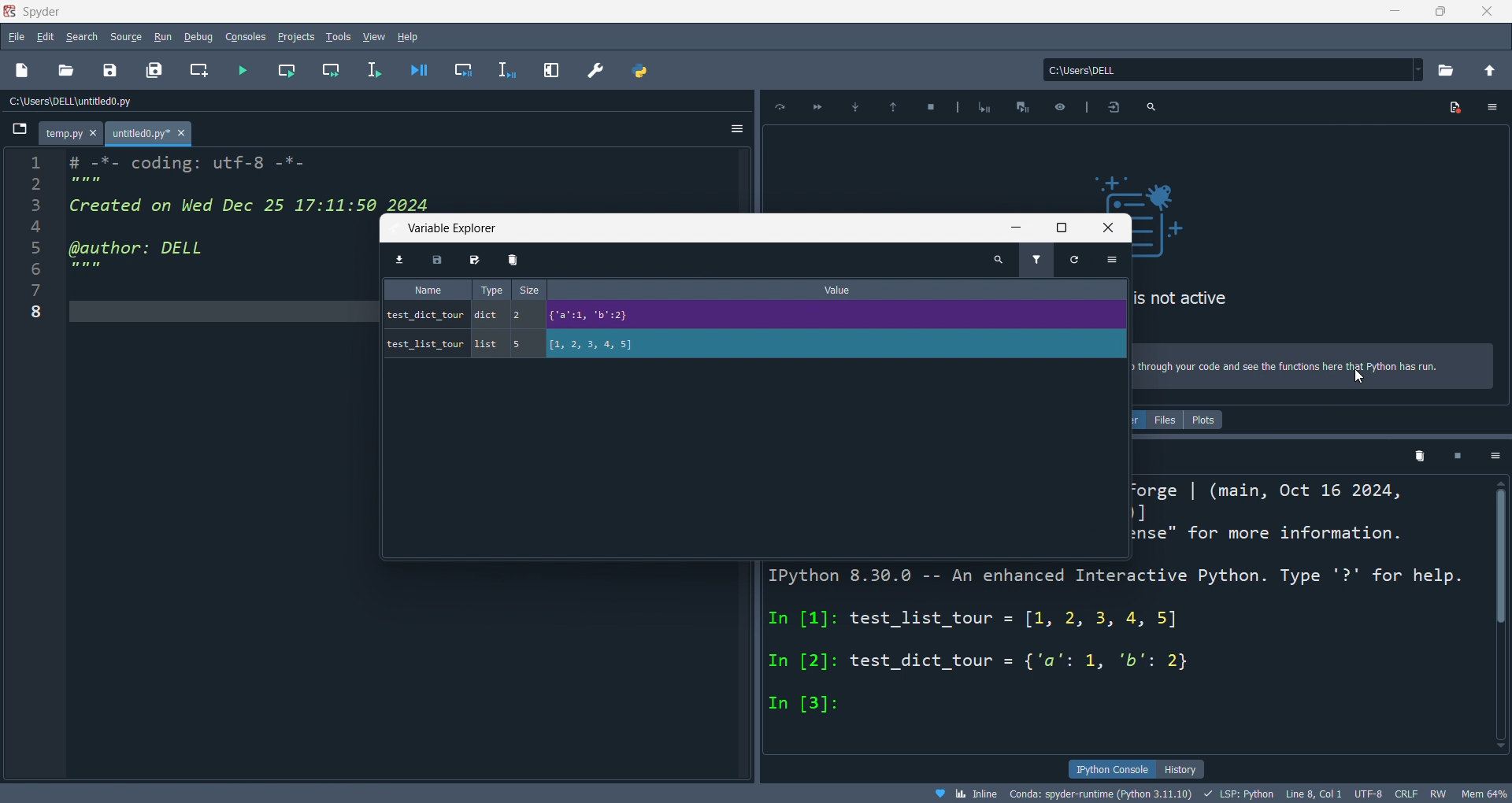  I want to click on plots, so click(1206, 420).